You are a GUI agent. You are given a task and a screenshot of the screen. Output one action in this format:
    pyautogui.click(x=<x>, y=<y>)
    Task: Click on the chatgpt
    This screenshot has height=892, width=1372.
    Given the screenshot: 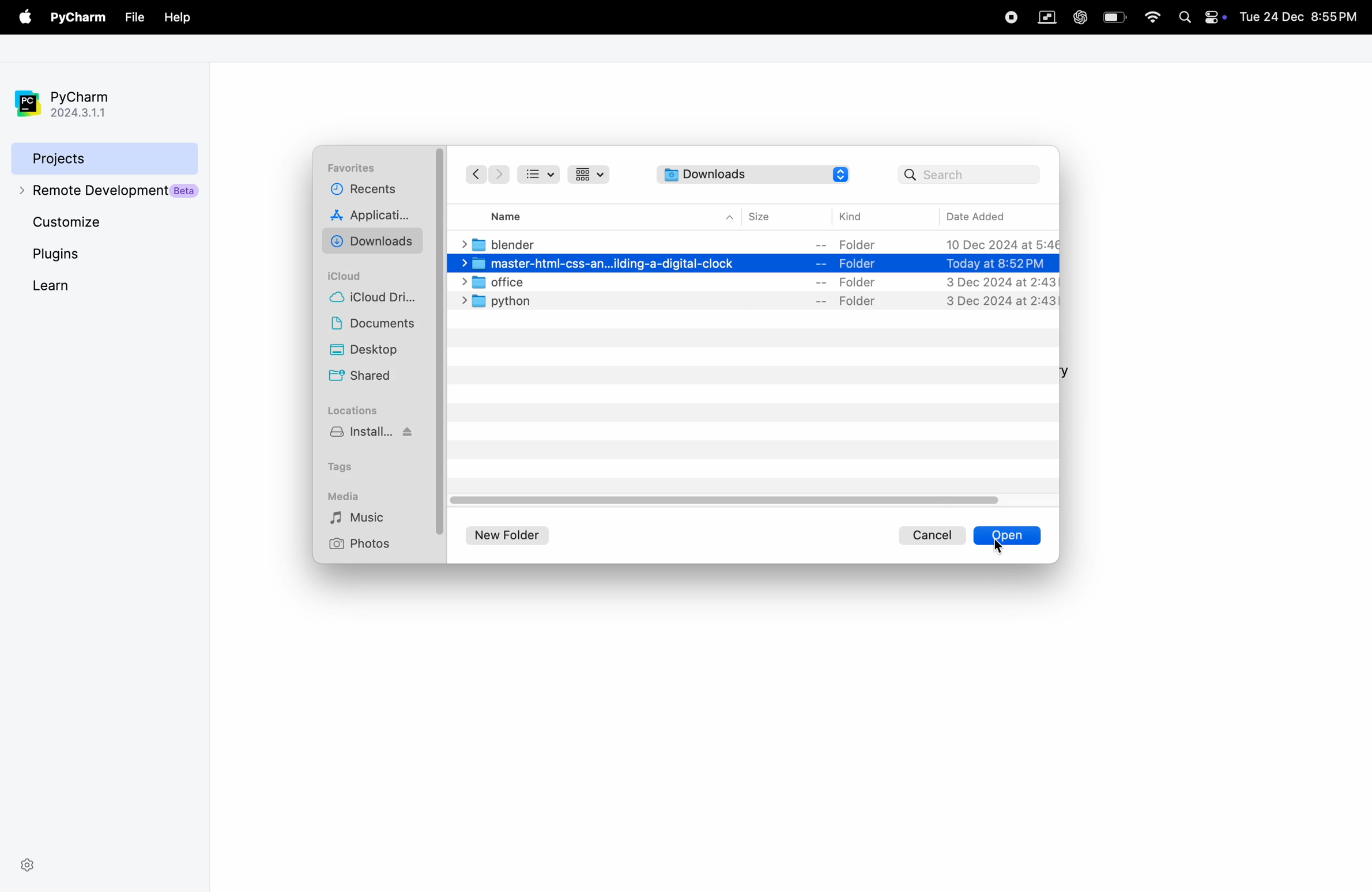 What is the action you would take?
    pyautogui.click(x=1079, y=16)
    